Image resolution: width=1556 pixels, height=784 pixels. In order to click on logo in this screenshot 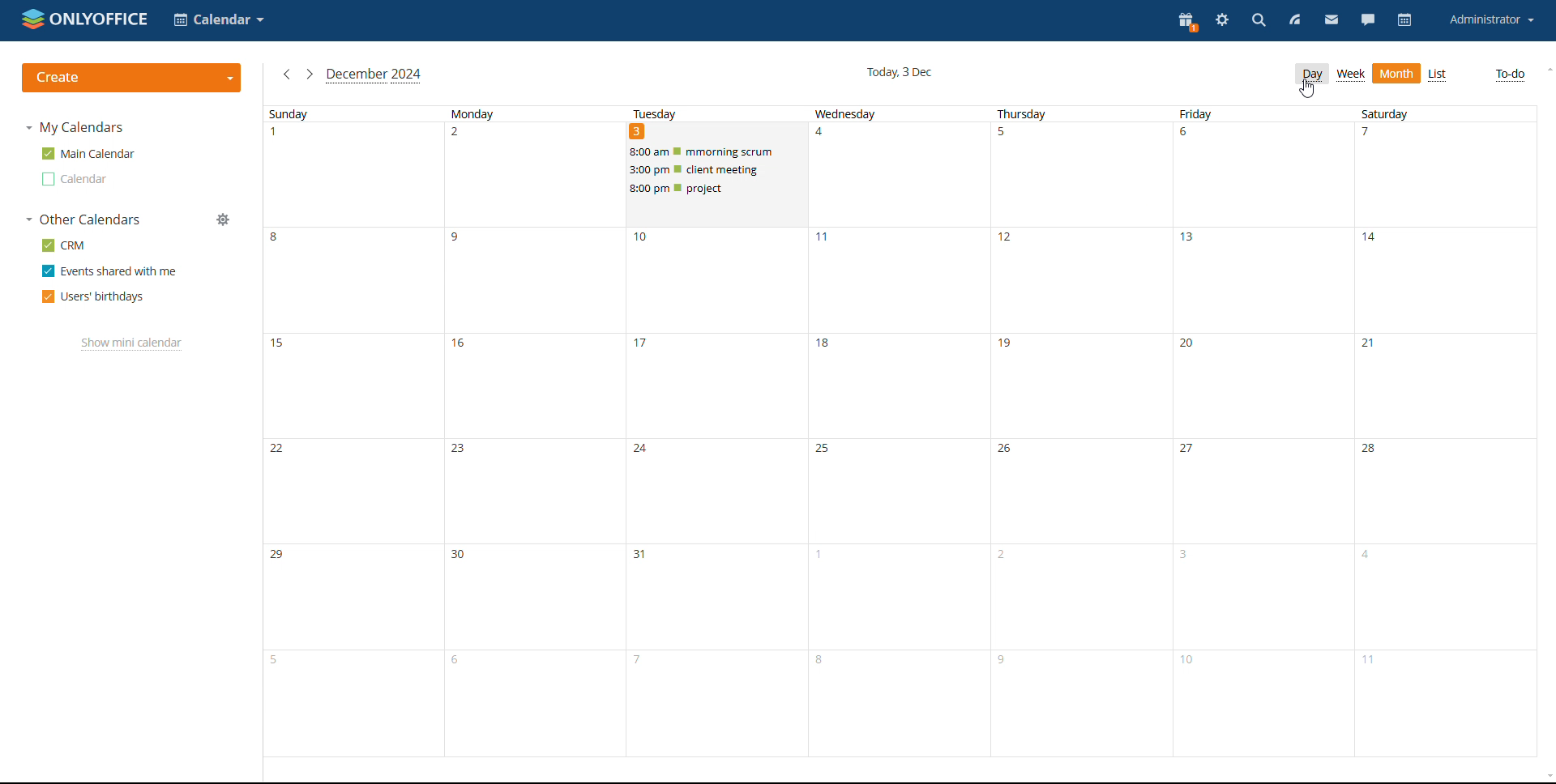, I will do `click(84, 18)`.